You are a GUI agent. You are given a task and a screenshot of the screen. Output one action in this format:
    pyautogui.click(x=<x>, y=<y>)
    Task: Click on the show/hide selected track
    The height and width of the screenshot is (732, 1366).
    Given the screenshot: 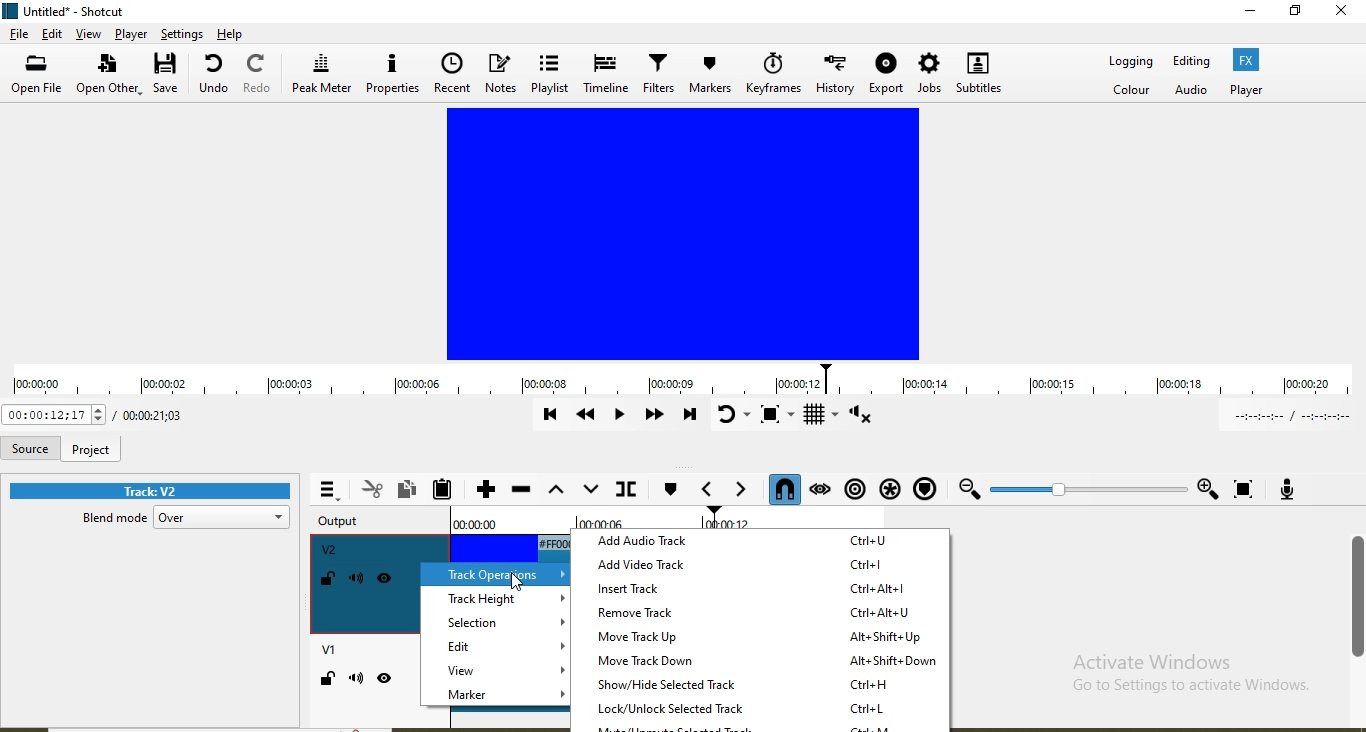 What is the action you would take?
    pyautogui.click(x=764, y=686)
    